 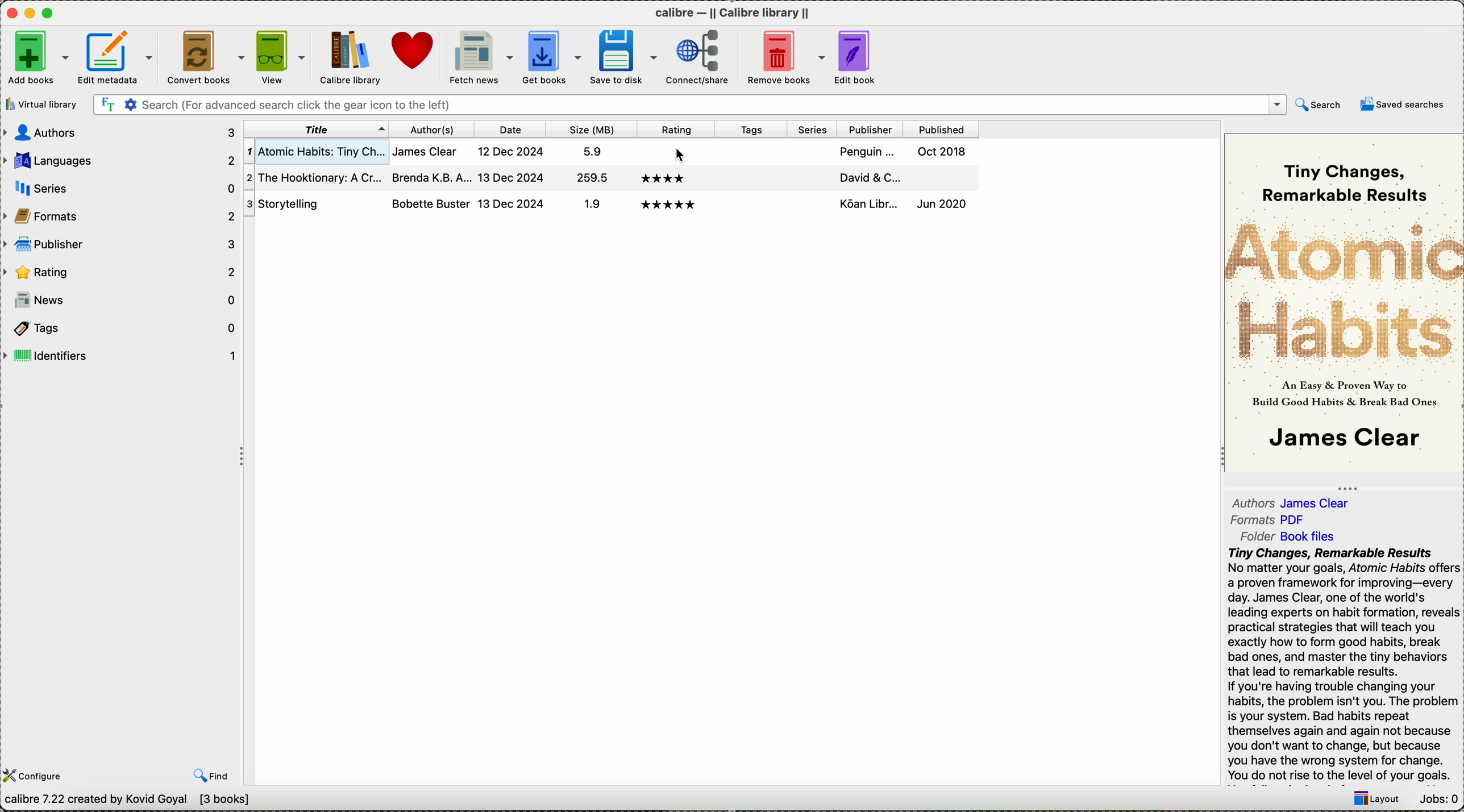 I want to click on brenda k.b.a..., so click(x=430, y=176).